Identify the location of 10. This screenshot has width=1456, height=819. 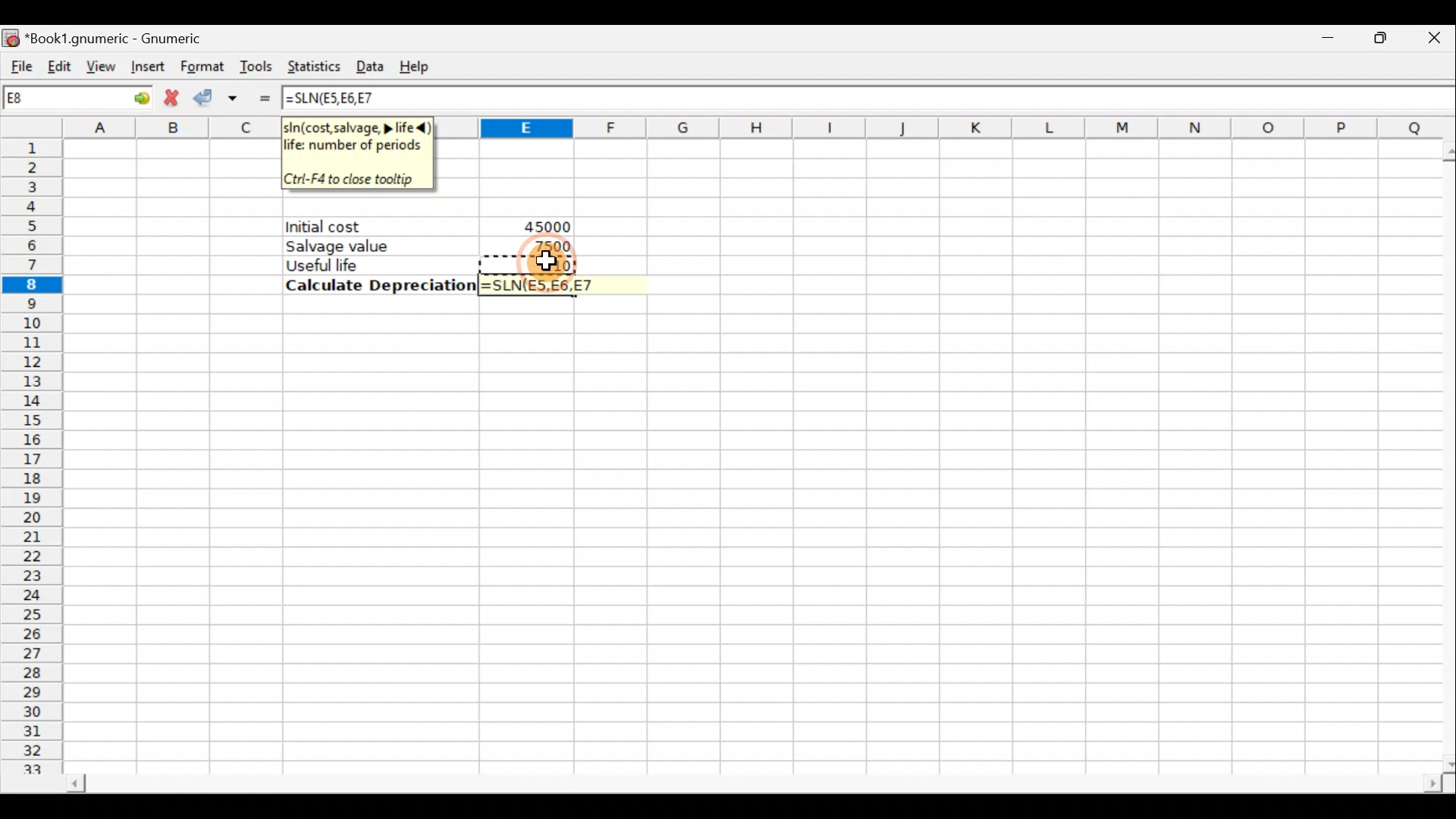
(557, 264).